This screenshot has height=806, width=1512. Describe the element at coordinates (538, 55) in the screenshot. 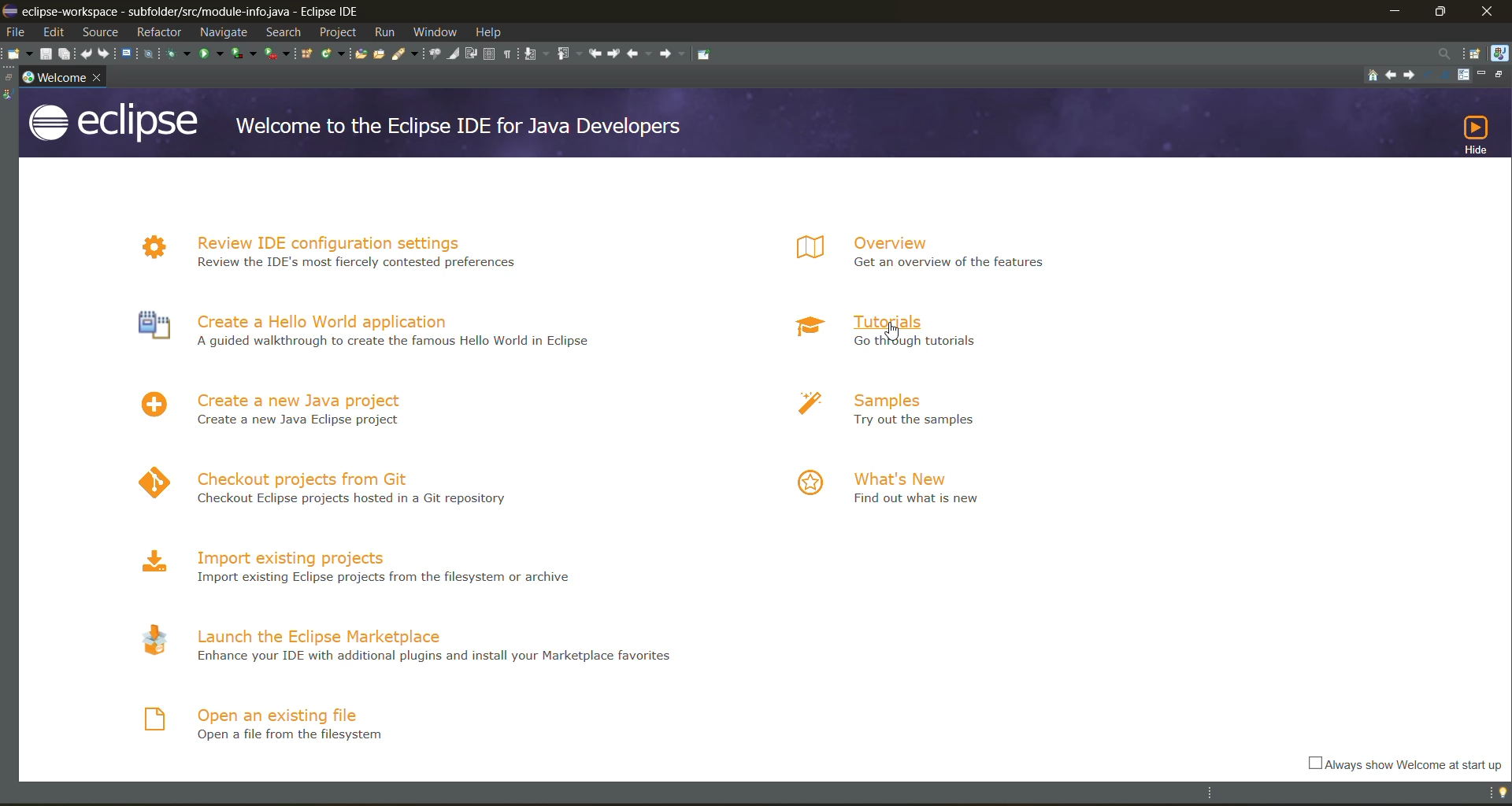

I see `next annotation` at that location.